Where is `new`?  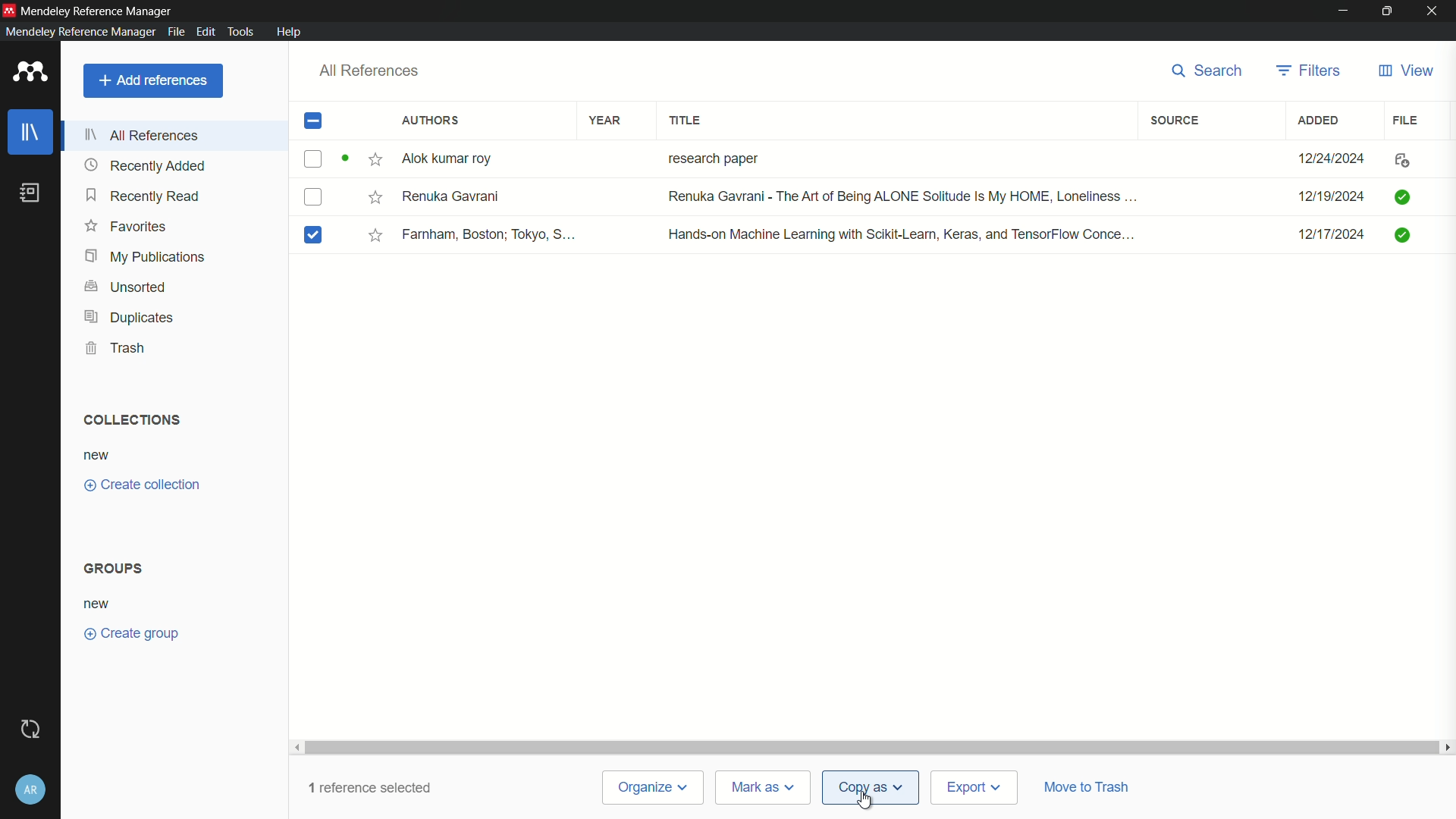 new is located at coordinates (99, 603).